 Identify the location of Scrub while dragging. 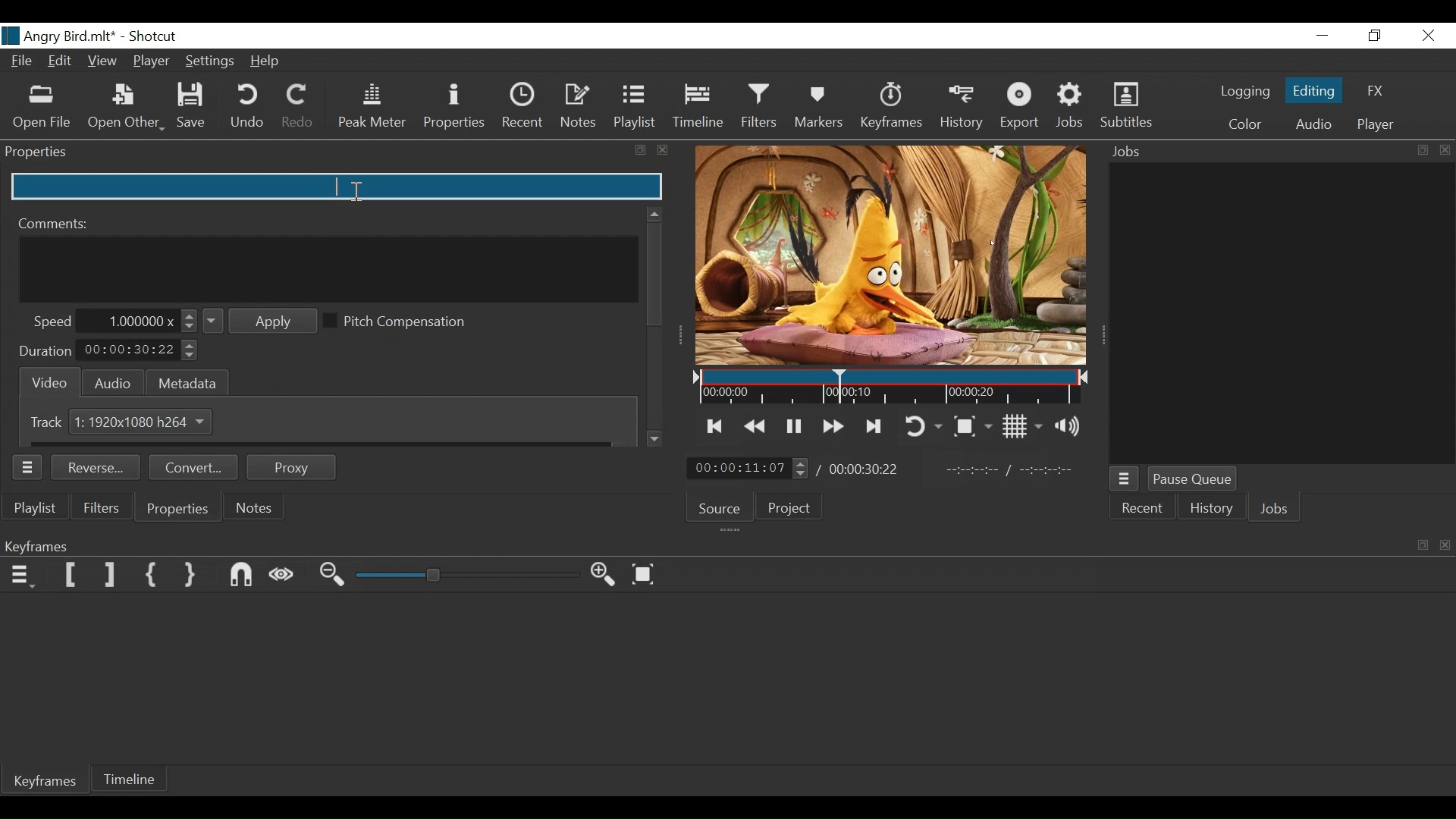
(285, 575).